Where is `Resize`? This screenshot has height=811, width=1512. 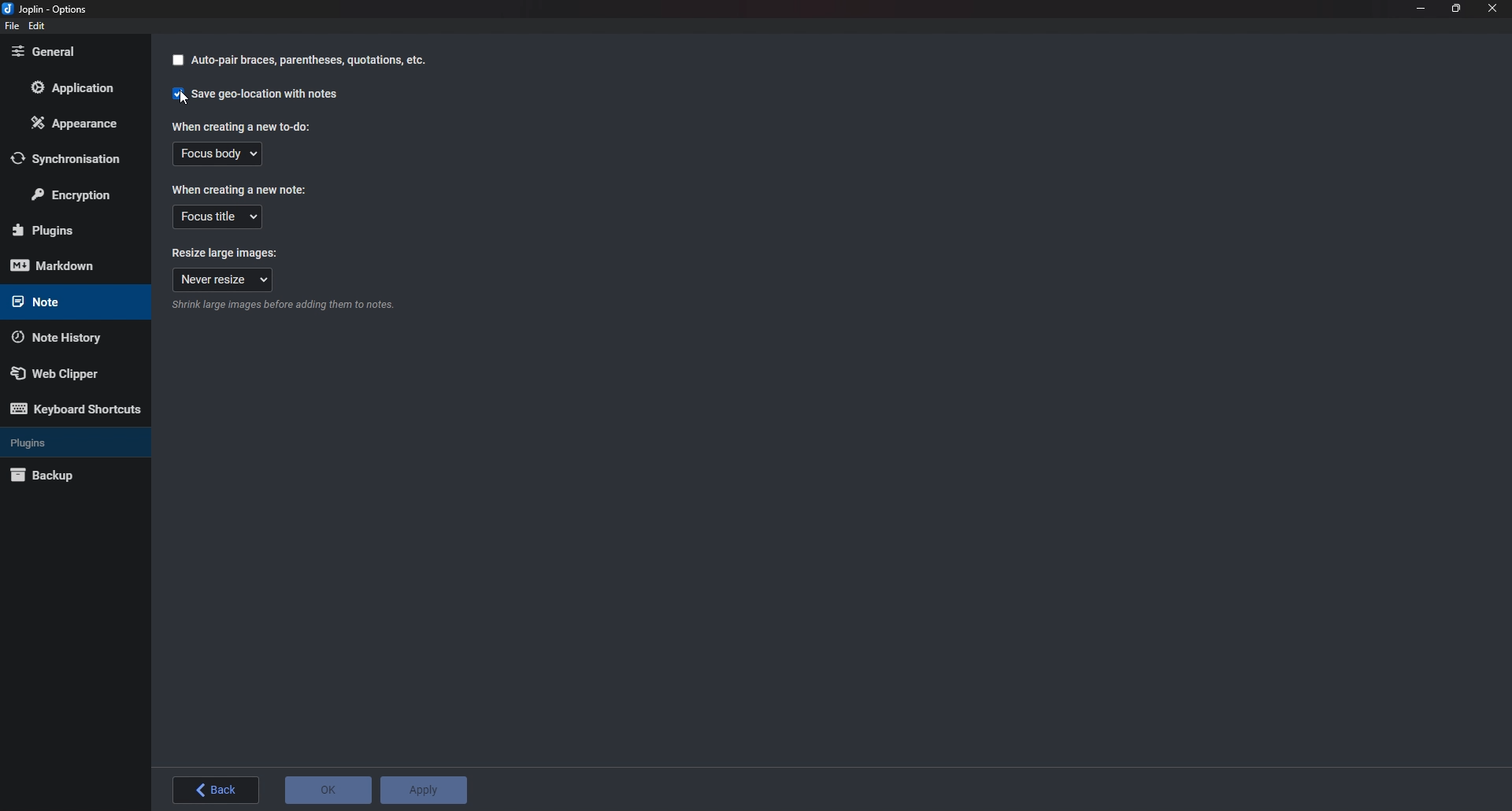 Resize is located at coordinates (1455, 9).